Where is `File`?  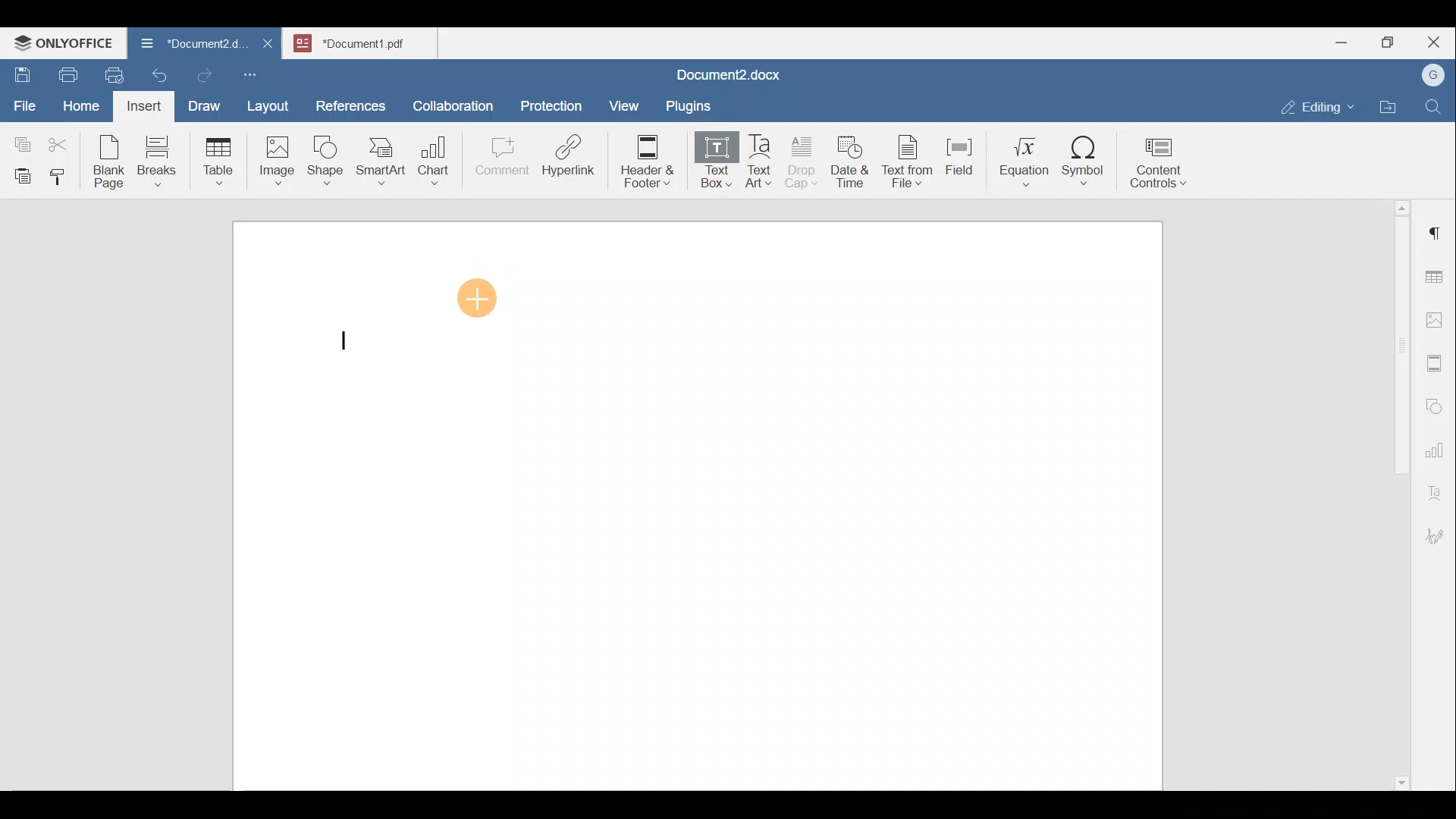 File is located at coordinates (26, 101).